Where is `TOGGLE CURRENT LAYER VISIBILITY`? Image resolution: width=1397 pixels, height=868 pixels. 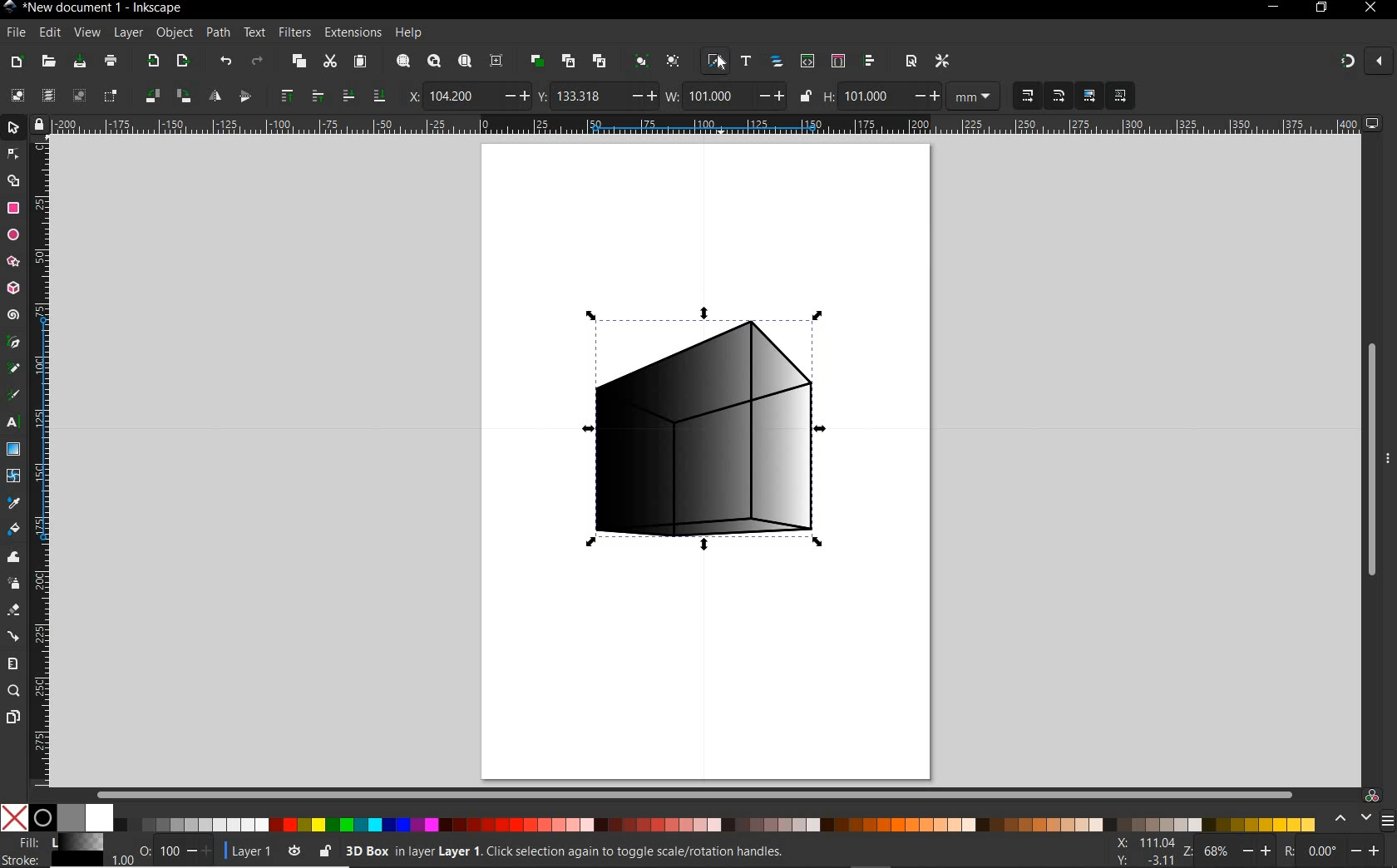 TOGGLE CURRENT LAYER VISIBILITY is located at coordinates (292, 851).